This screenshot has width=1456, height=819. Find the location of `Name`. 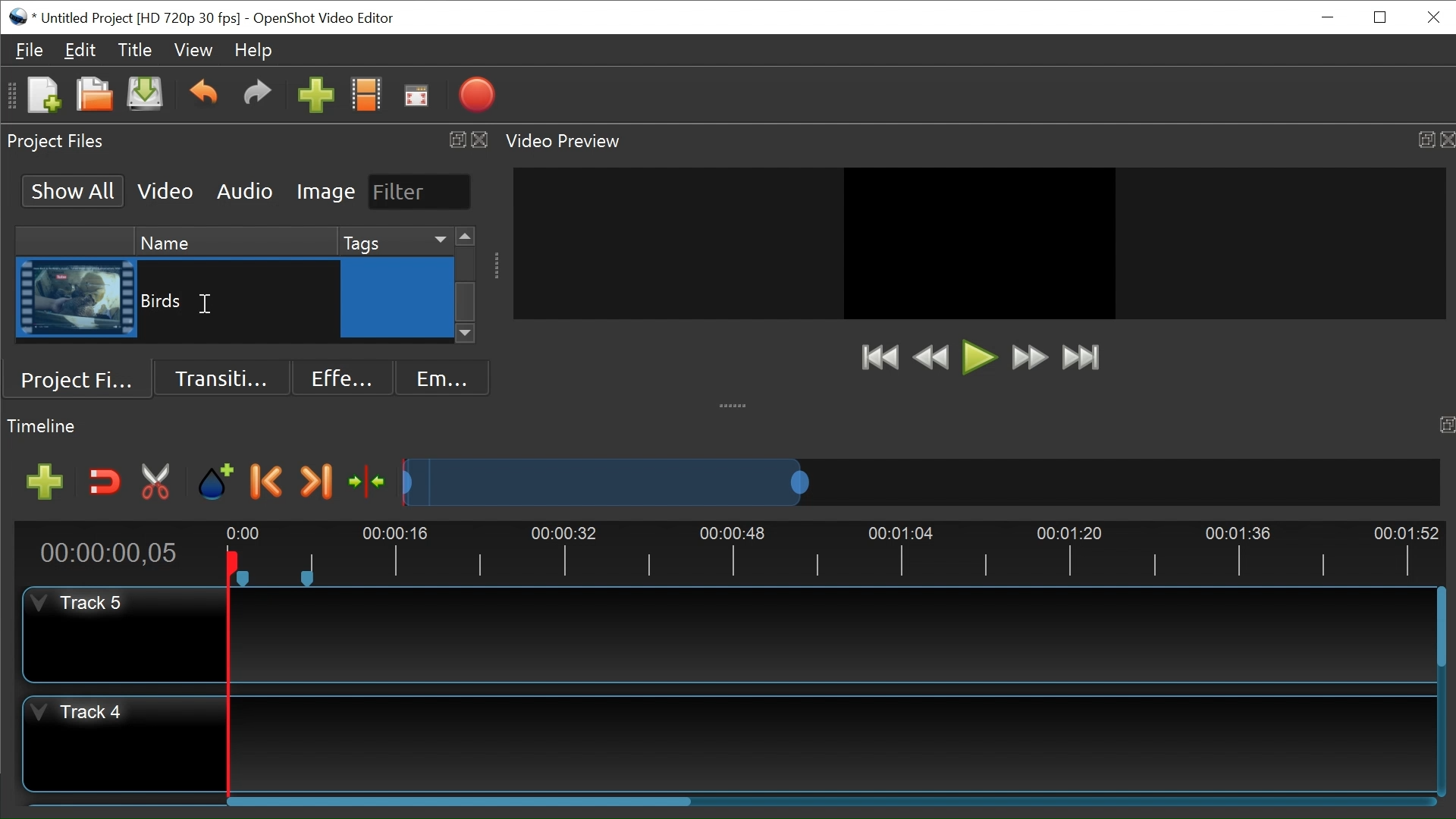

Name is located at coordinates (233, 240).